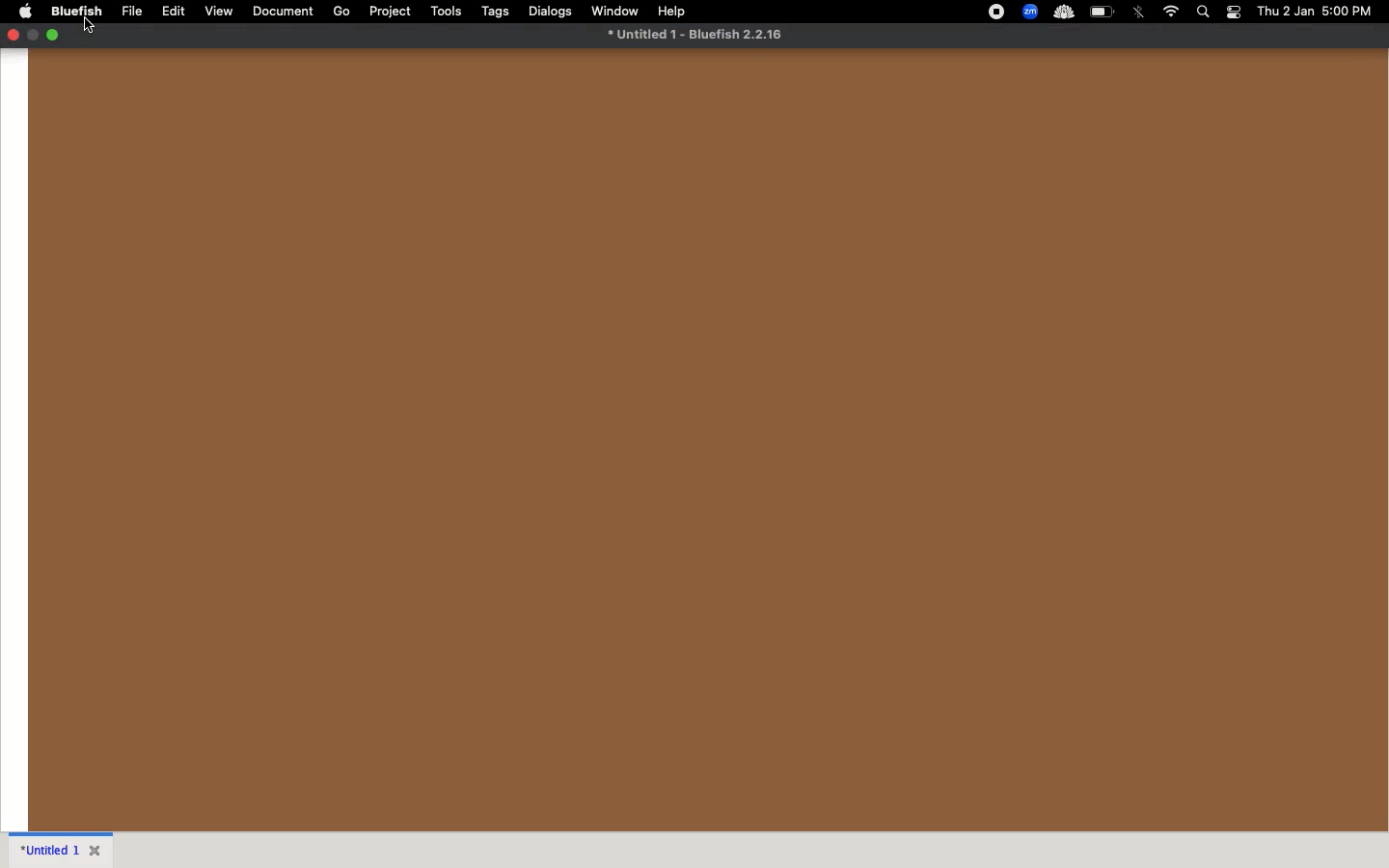 Image resolution: width=1389 pixels, height=868 pixels. What do you see at coordinates (390, 12) in the screenshot?
I see `project` at bounding box center [390, 12].